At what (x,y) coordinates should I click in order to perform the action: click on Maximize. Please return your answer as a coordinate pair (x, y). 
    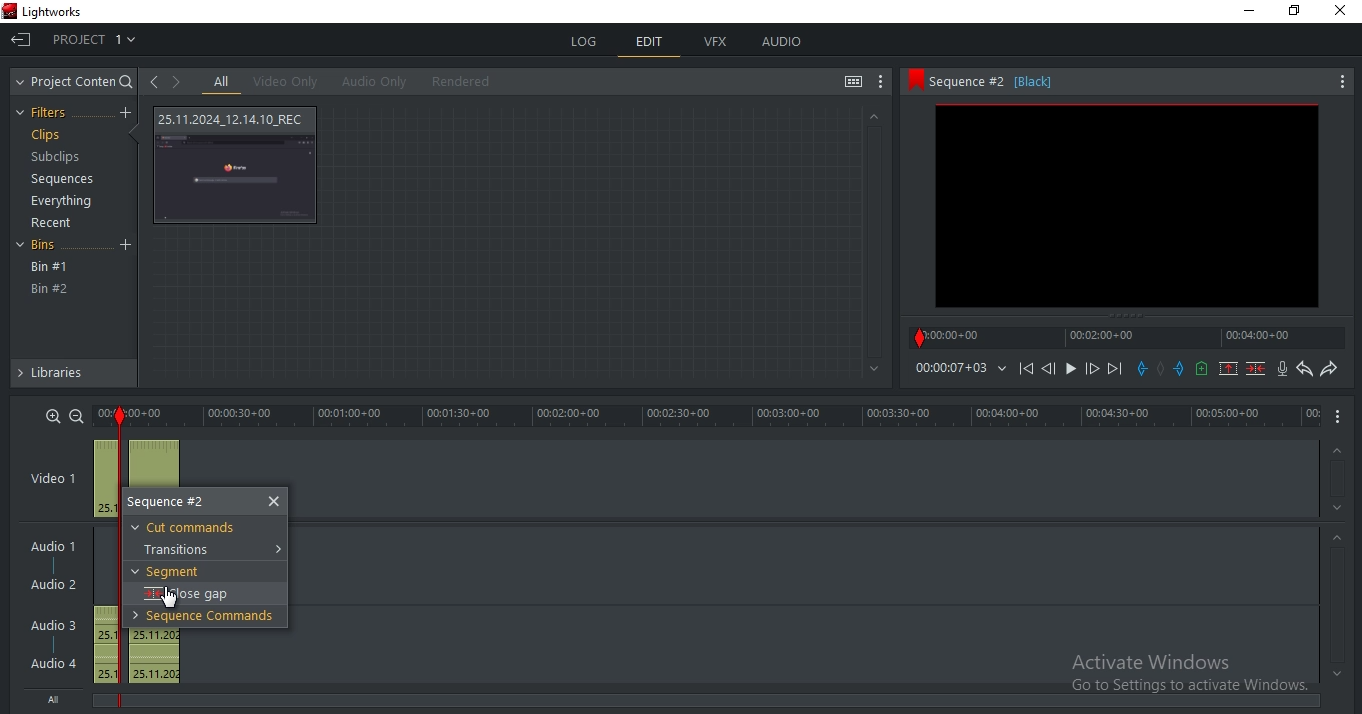
    Looking at the image, I should click on (1299, 14).